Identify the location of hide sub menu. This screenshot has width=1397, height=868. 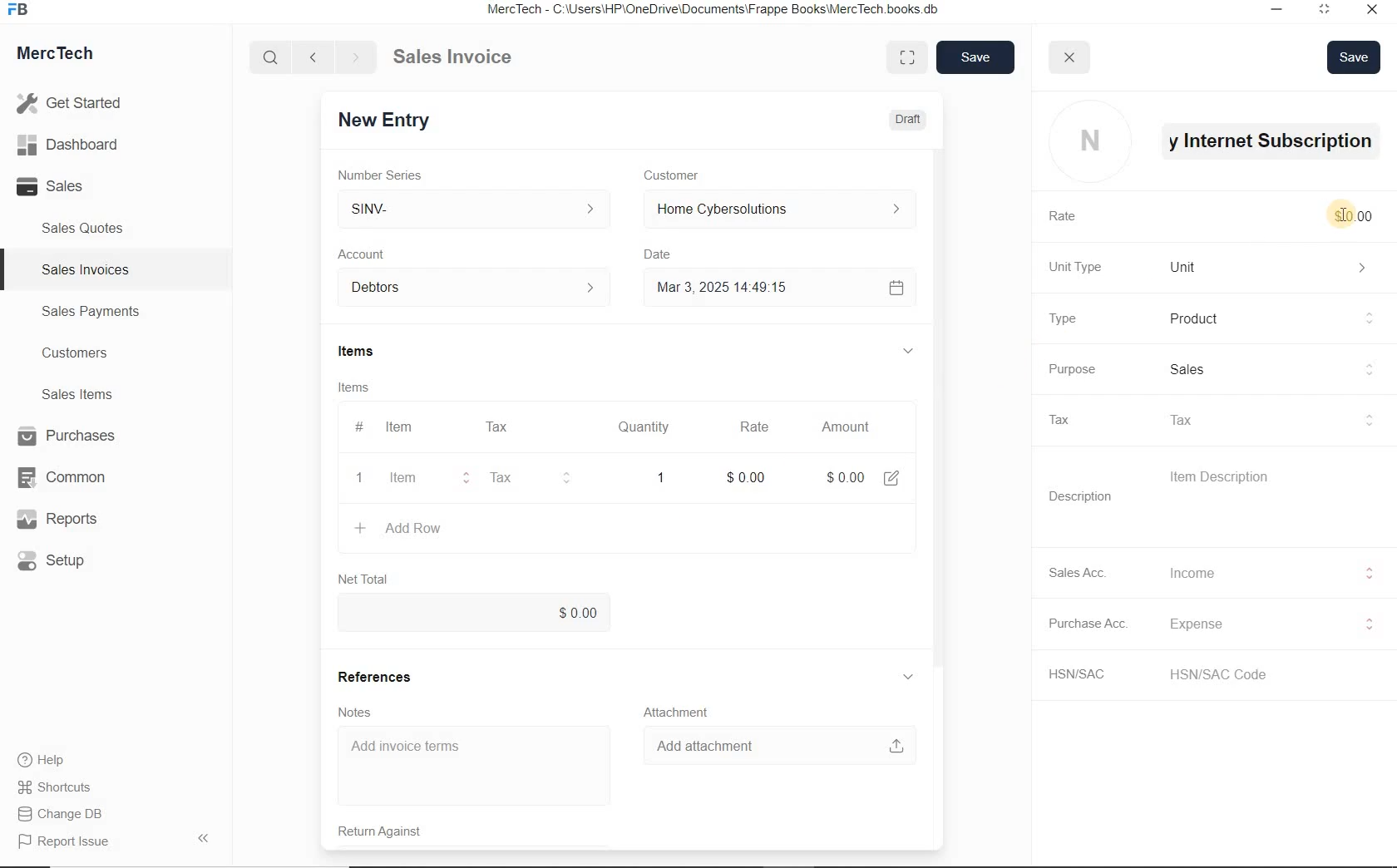
(907, 352).